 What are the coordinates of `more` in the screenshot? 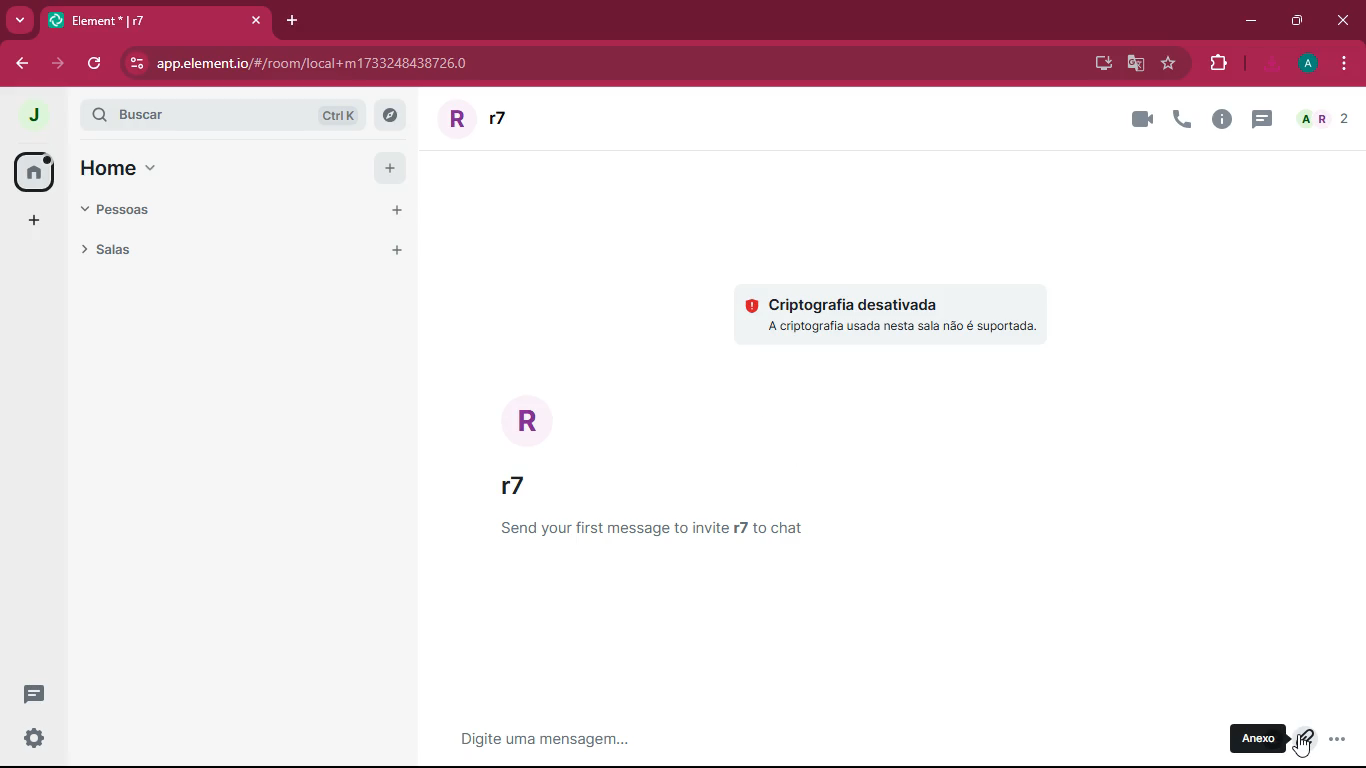 It's located at (19, 22).